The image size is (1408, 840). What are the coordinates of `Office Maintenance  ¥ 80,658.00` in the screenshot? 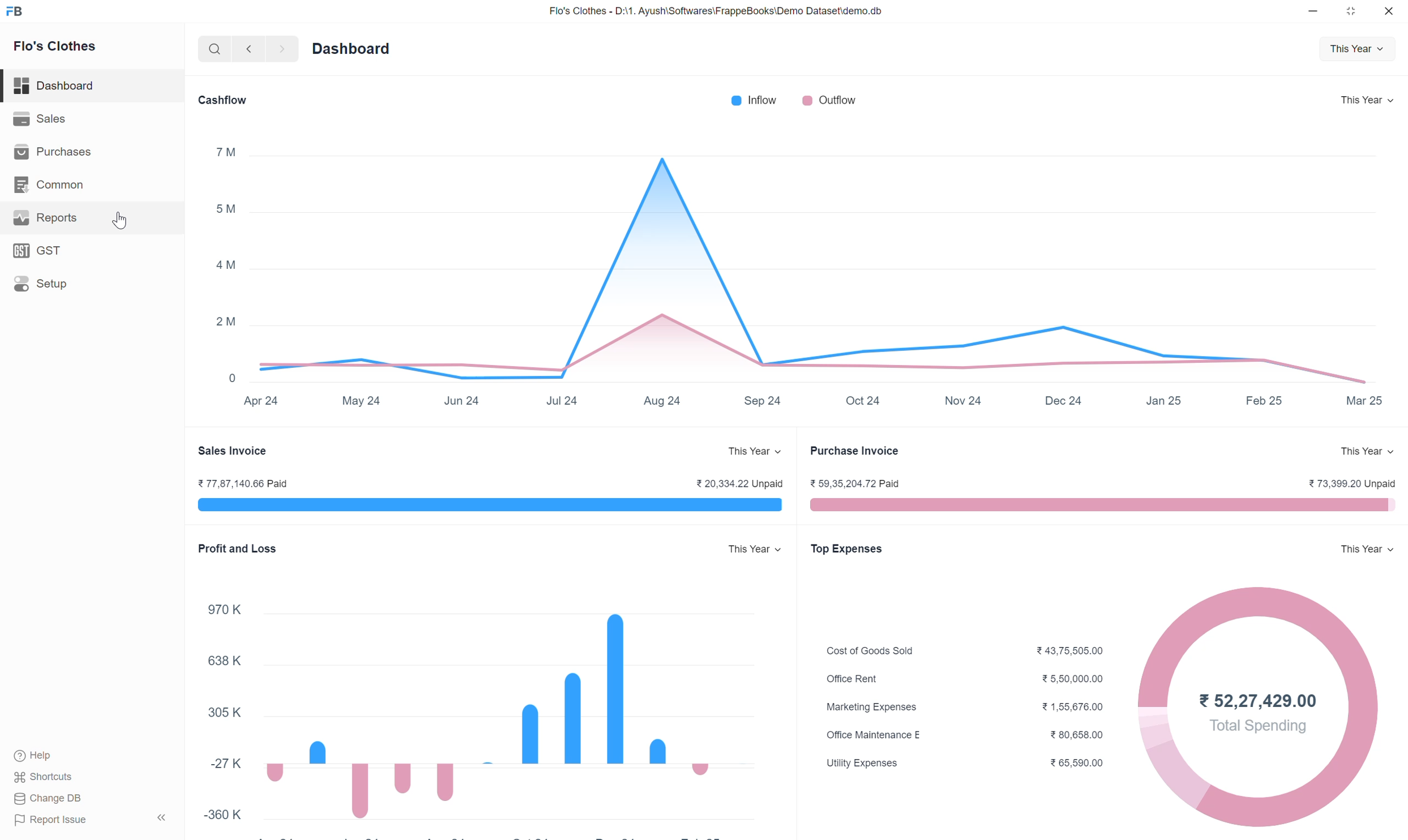 It's located at (967, 733).